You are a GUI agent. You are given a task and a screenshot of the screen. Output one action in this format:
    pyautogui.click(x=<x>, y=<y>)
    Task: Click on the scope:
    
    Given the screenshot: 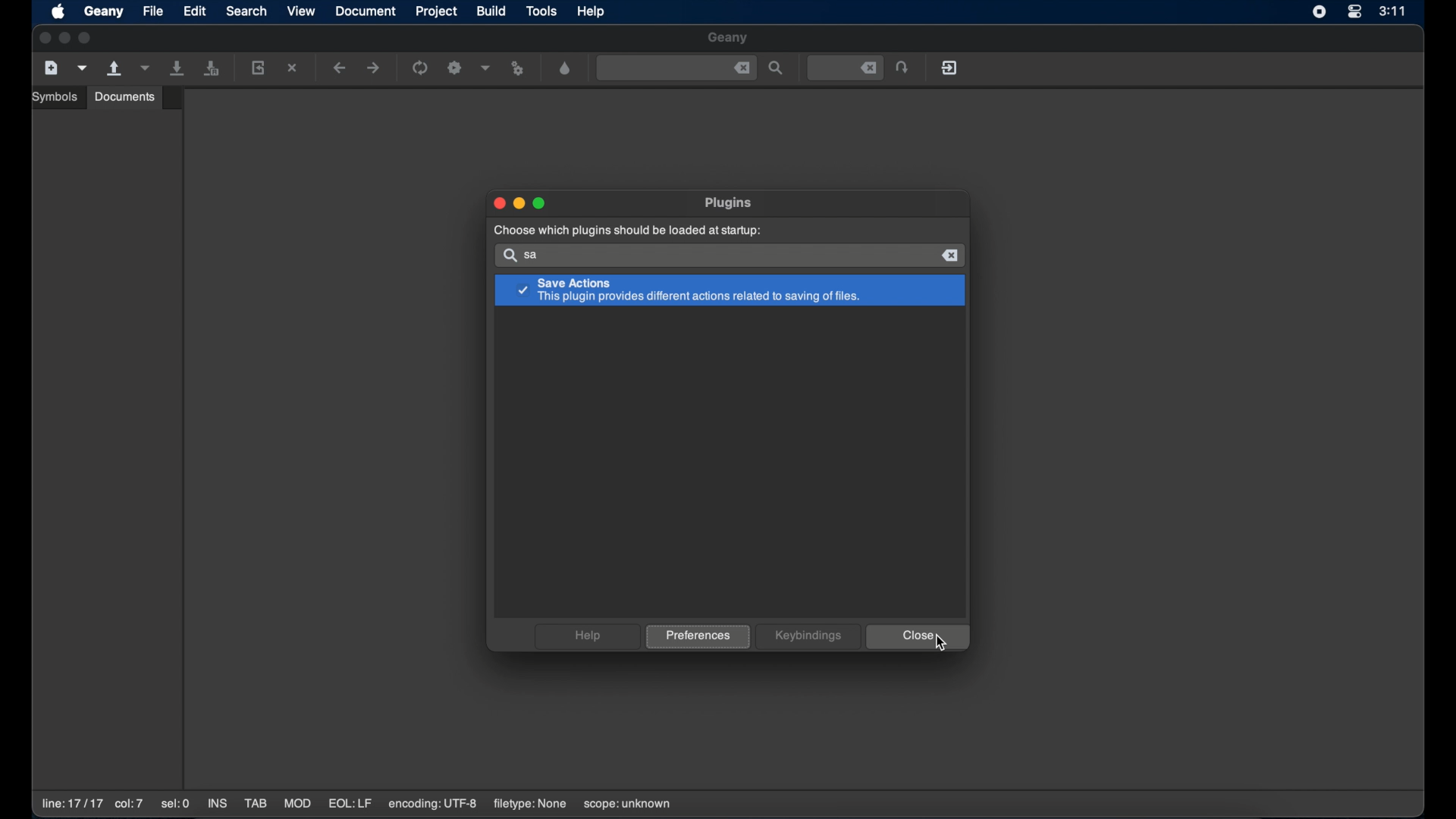 What is the action you would take?
    pyautogui.click(x=627, y=805)
    